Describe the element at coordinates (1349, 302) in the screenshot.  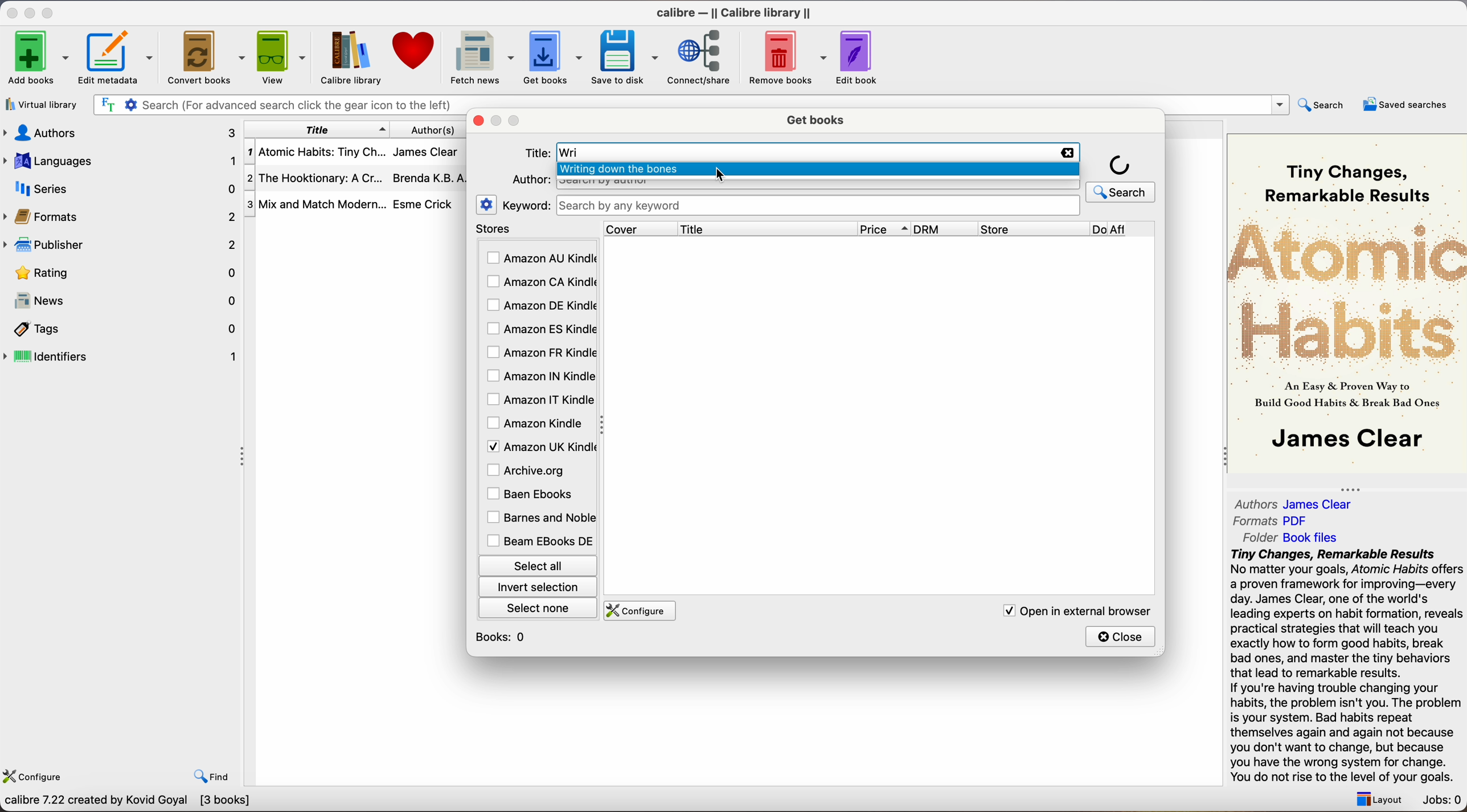
I see `book cover preview` at that location.